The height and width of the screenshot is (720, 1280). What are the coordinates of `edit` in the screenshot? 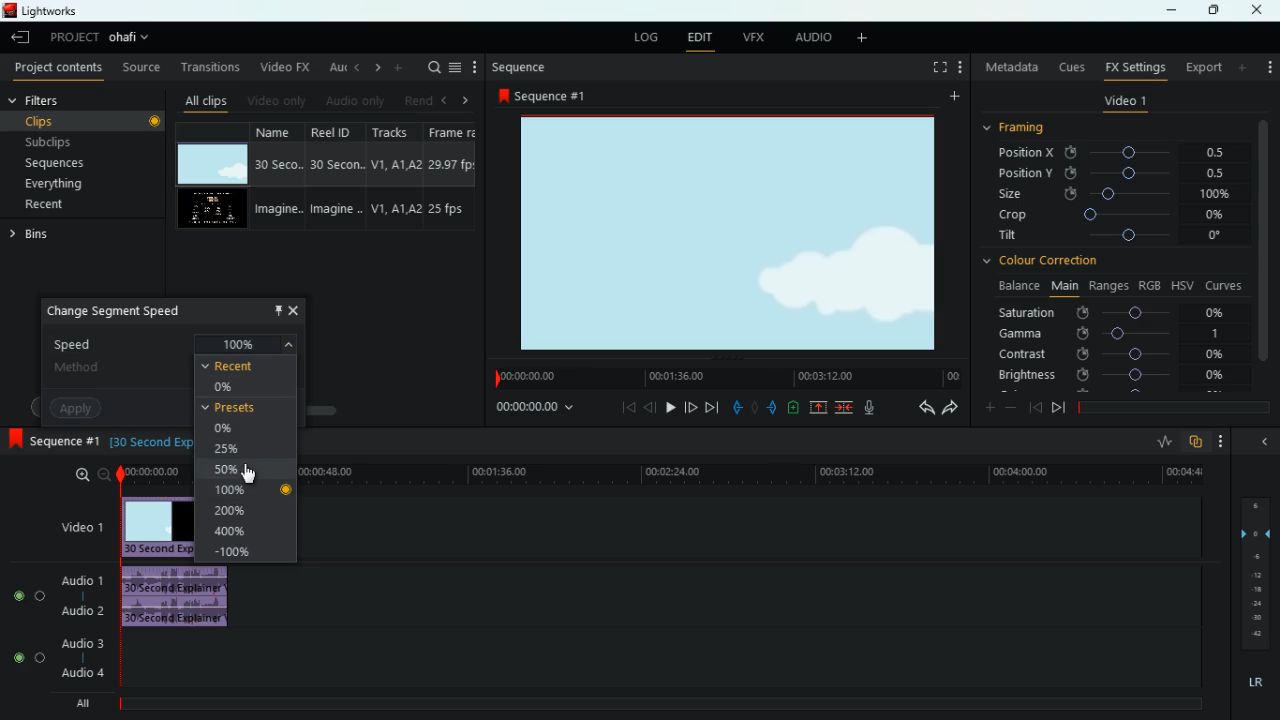 It's located at (700, 37).